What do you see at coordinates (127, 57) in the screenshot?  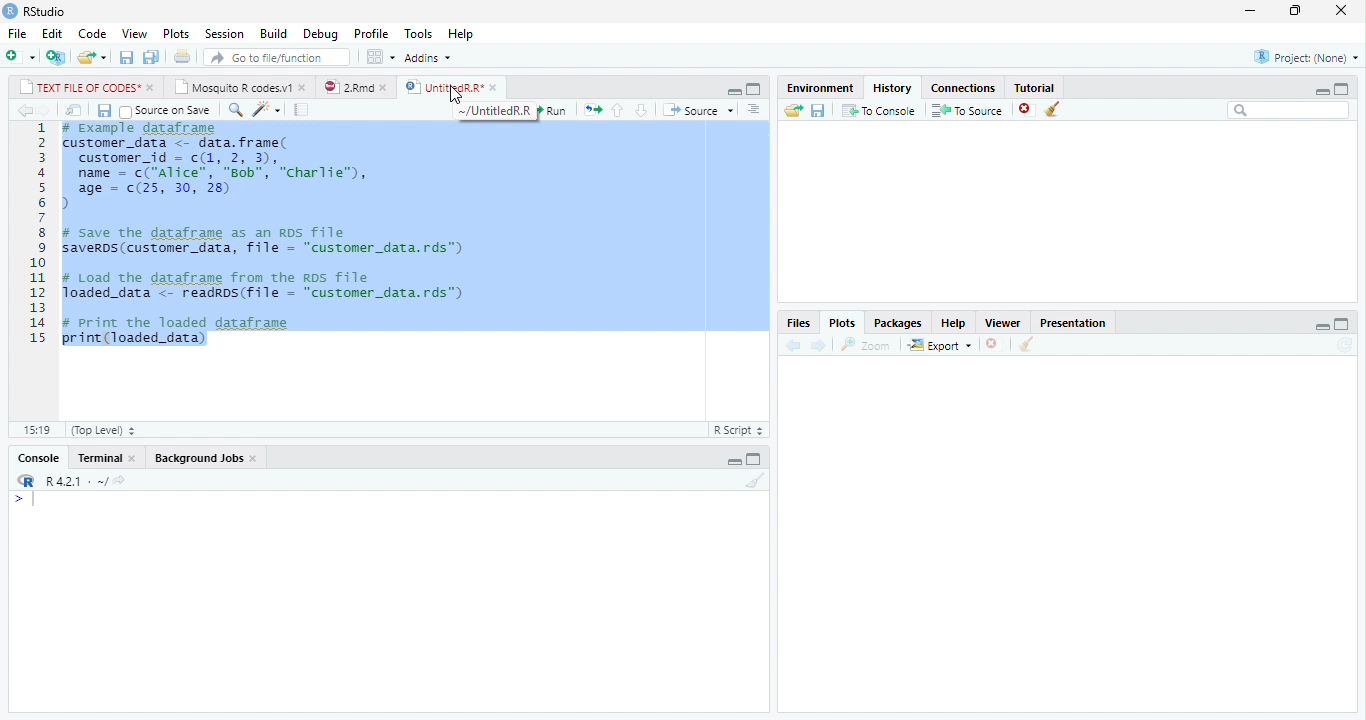 I see `save` at bounding box center [127, 57].